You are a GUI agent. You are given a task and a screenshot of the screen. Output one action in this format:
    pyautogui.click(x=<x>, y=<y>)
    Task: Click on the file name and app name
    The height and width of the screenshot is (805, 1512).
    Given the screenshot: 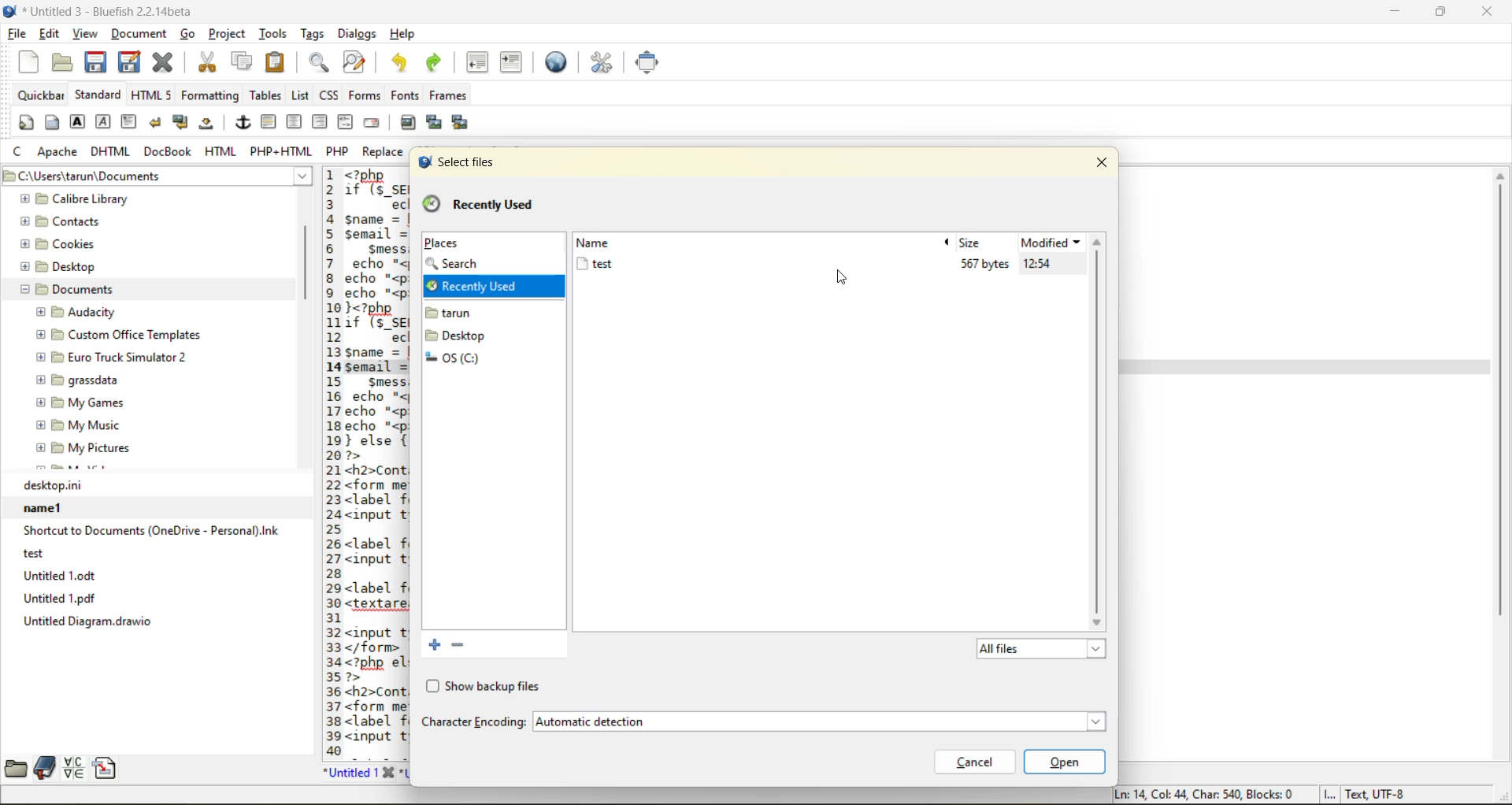 What is the action you would take?
    pyautogui.click(x=103, y=12)
    